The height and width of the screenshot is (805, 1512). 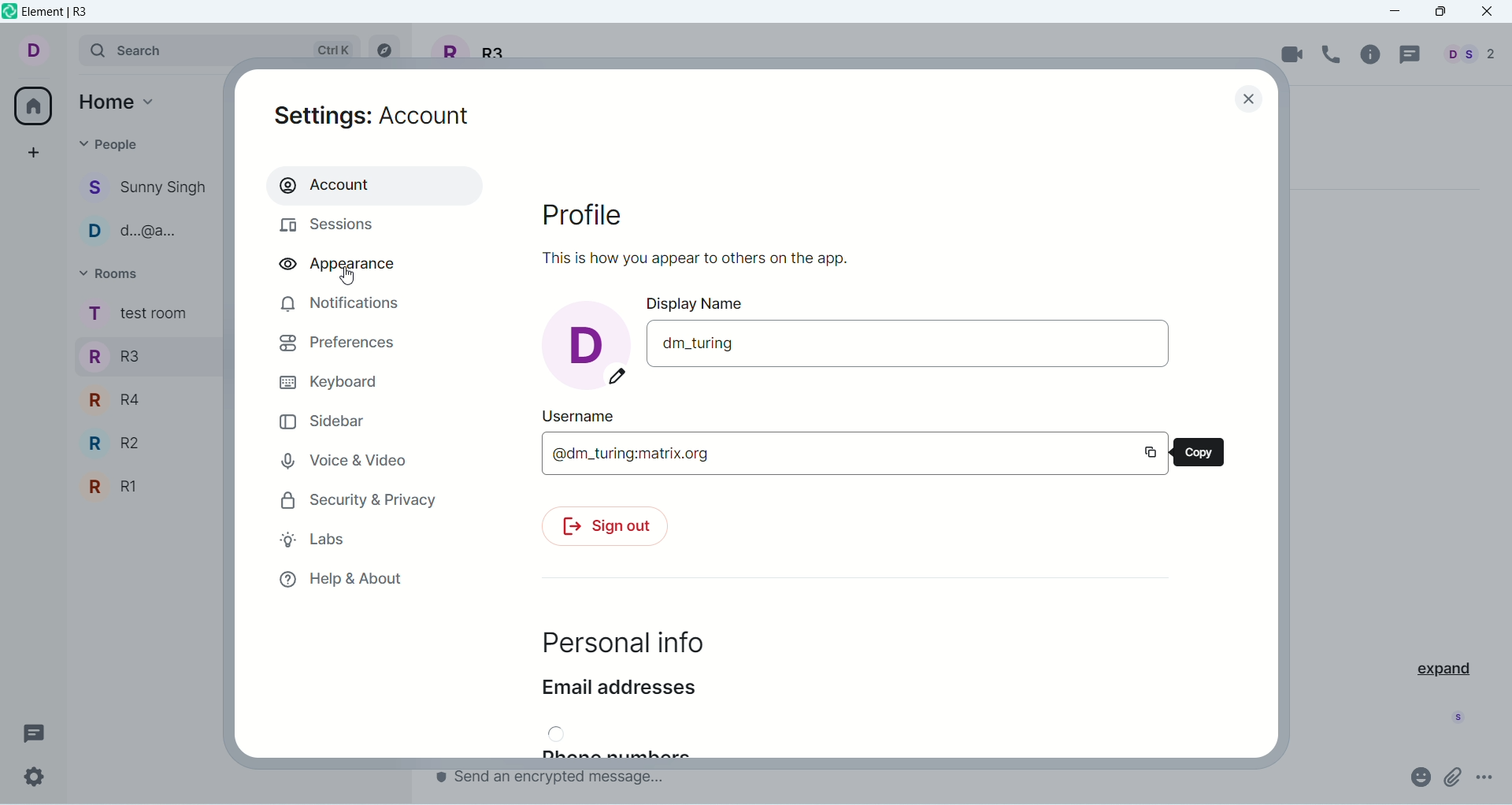 I want to click on display name, so click(x=906, y=346).